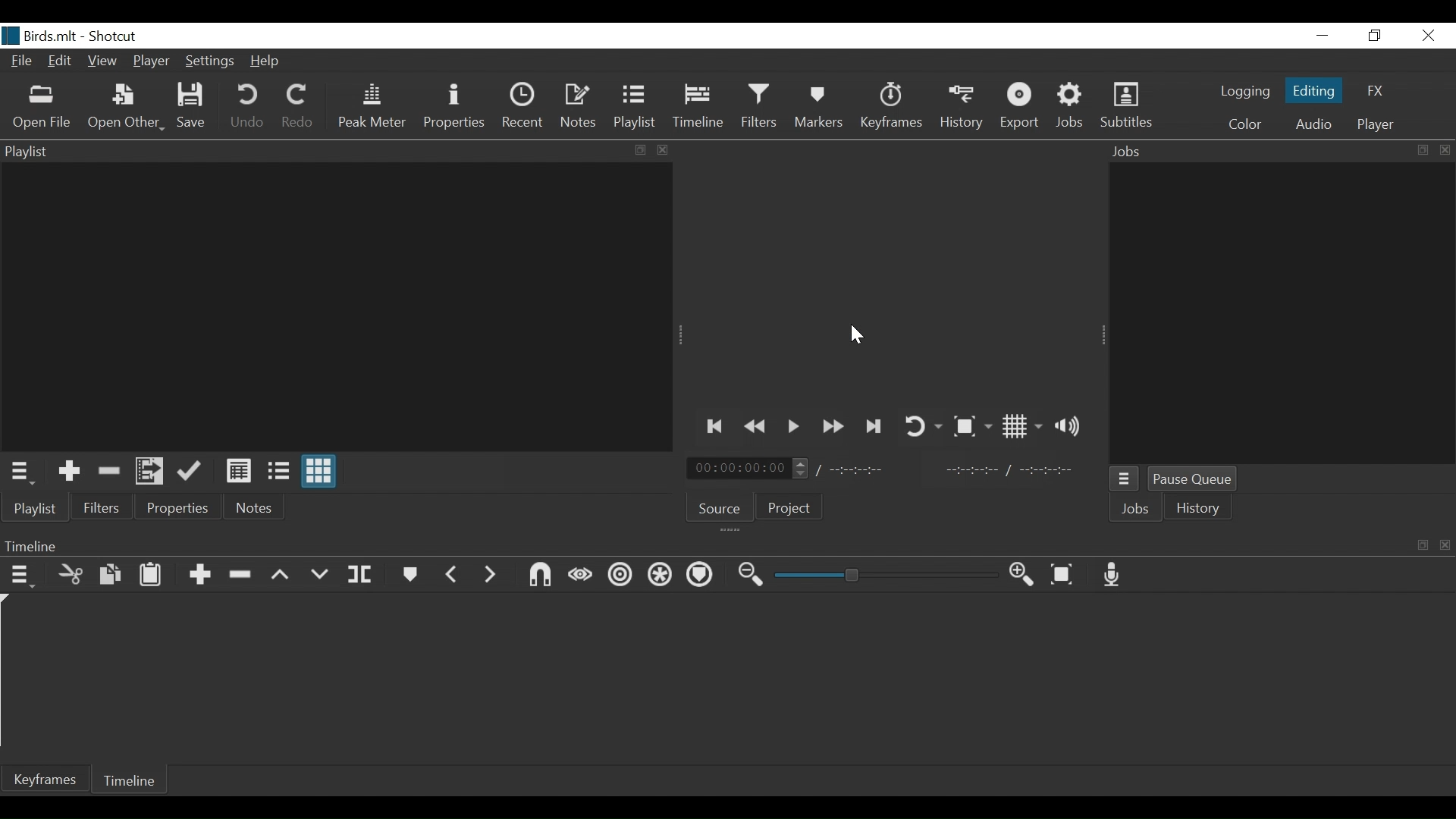 This screenshot has width=1456, height=819. I want to click on Jobs Panel, so click(1284, 314).